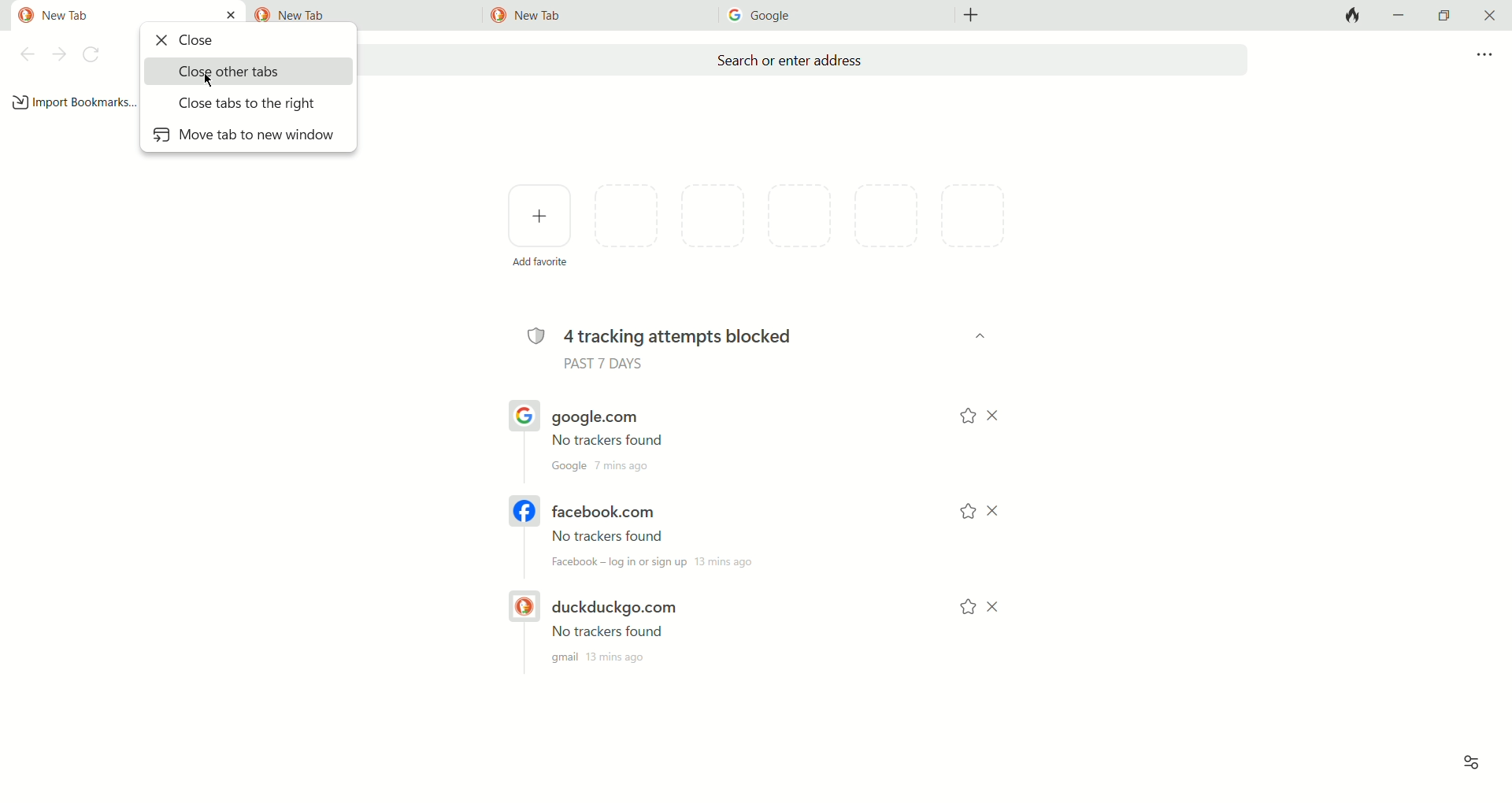 The height and width of the screenshot is (803, 1512). What do you see at coordinates (29, 55) in the screenshot?
I see `back` at bounding box center [29, 55].